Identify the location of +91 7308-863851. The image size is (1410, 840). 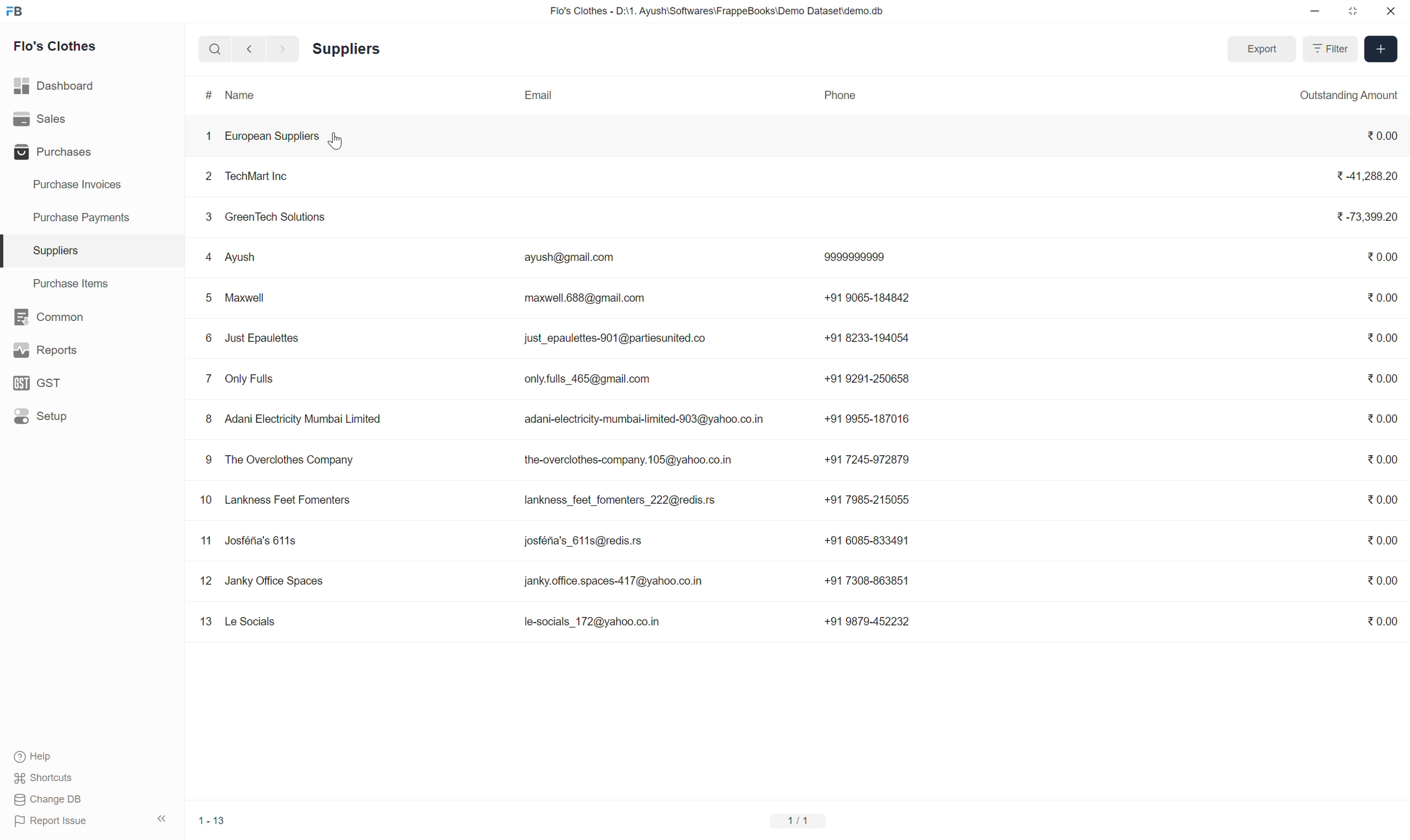
(865, 580).